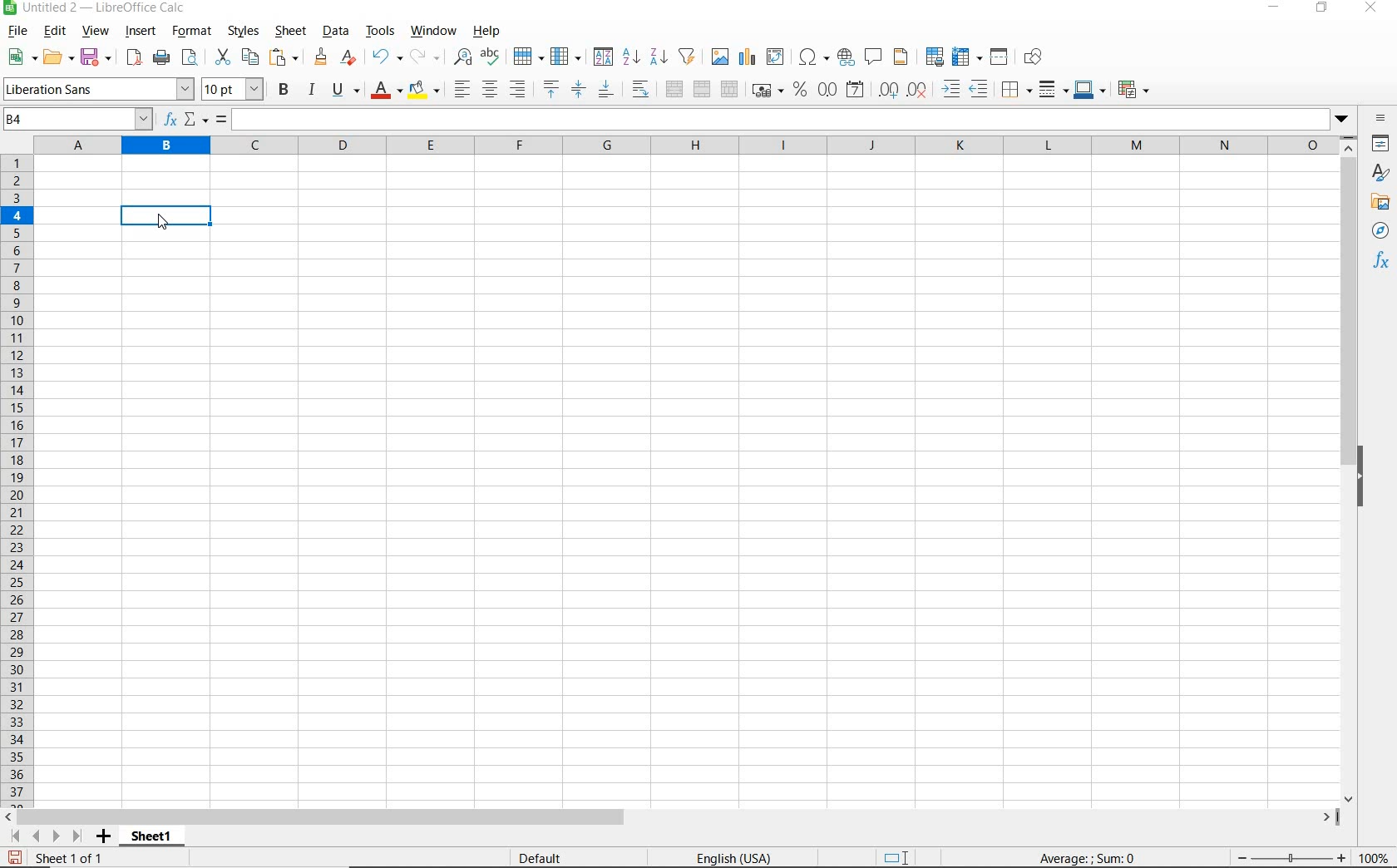 The height and width of the screenshot is (868, 1397). I want to click on cut, so click(224, 56).